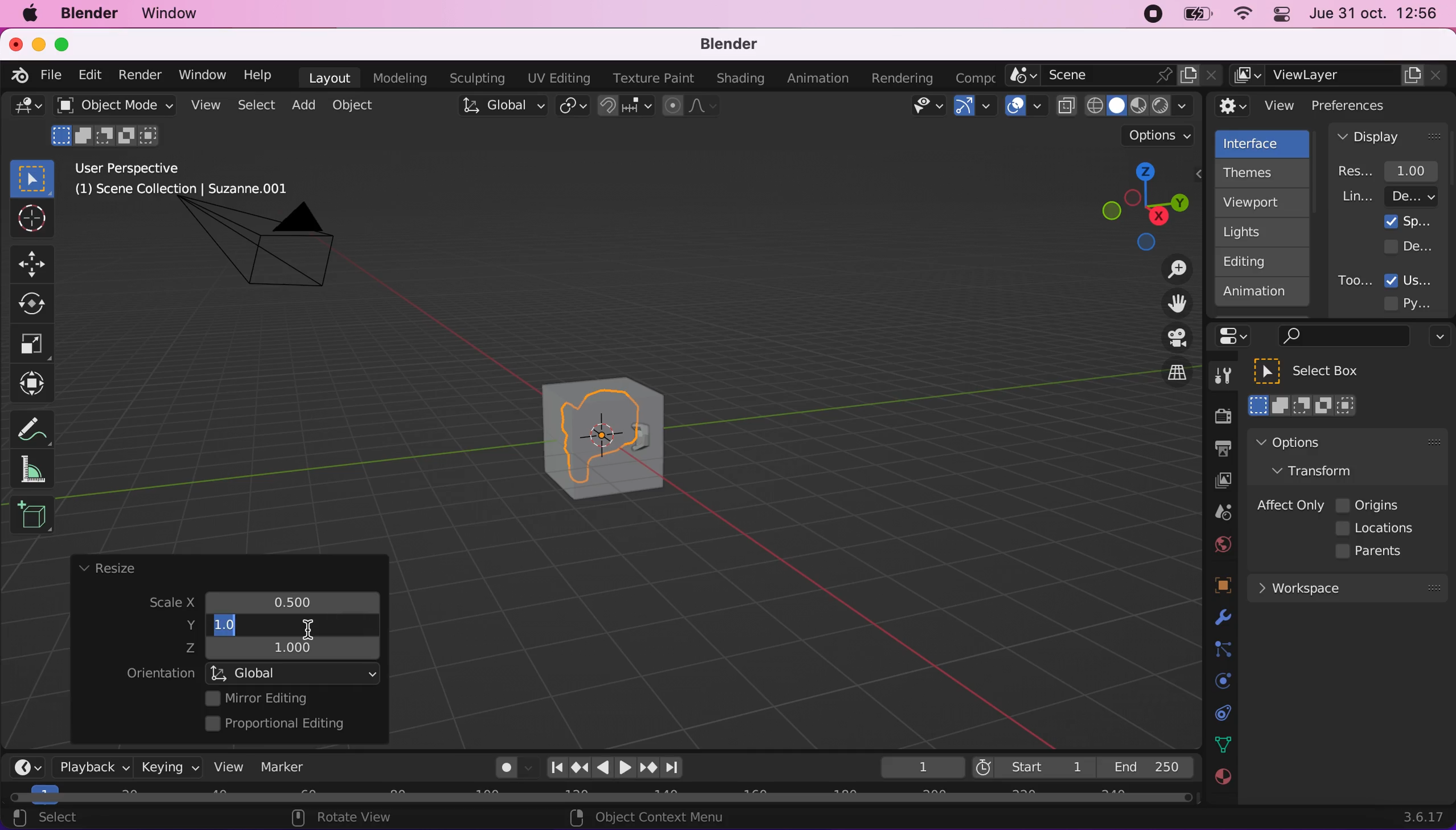 The width and height of the screenshot is (1456, 830). Describe the element at coordinates (1288, 505) in the screenshot. I see `affect only` at that location.